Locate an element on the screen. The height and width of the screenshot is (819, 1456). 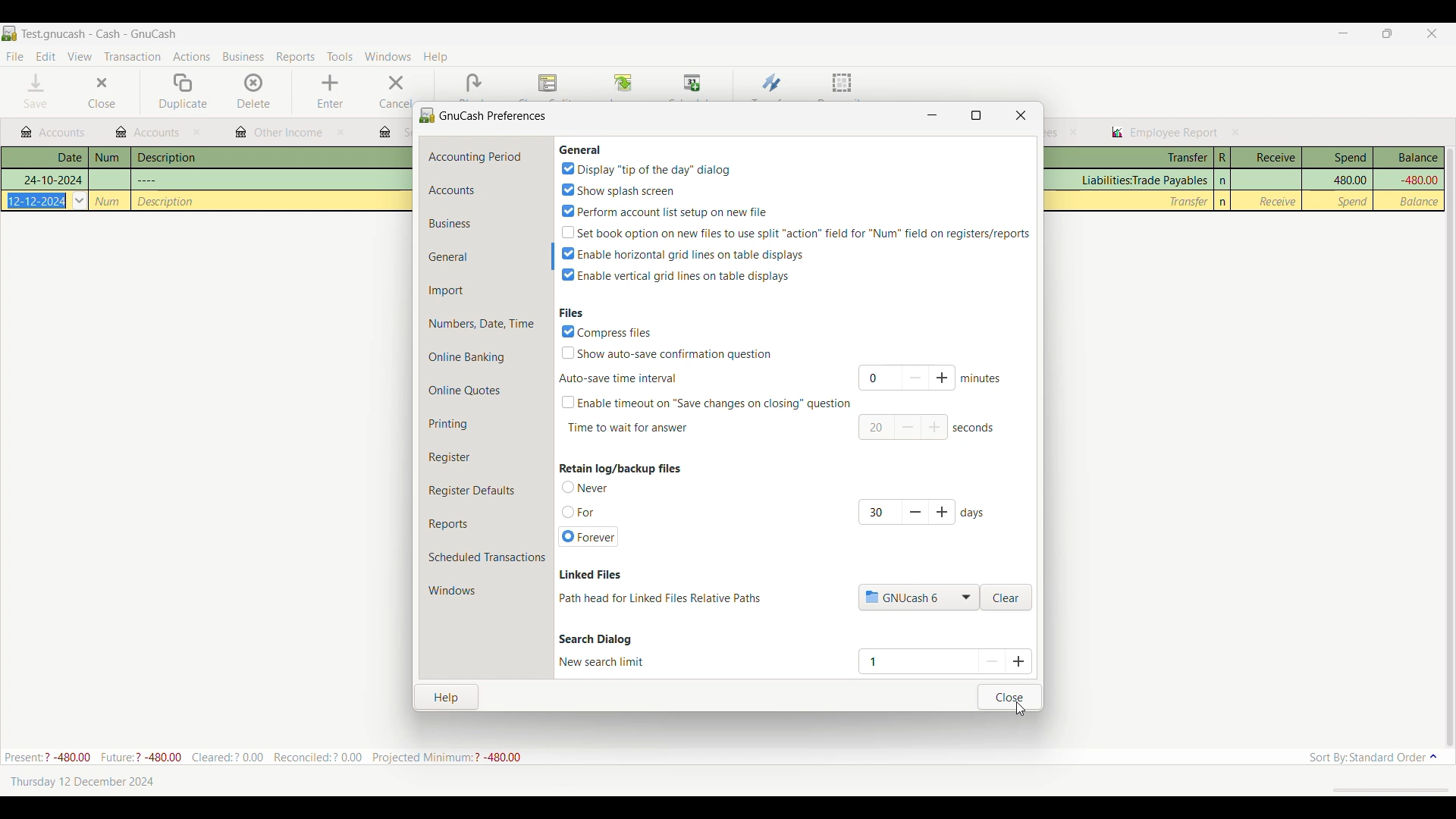
Toggle options under current section is located at coordinates (591, 487).